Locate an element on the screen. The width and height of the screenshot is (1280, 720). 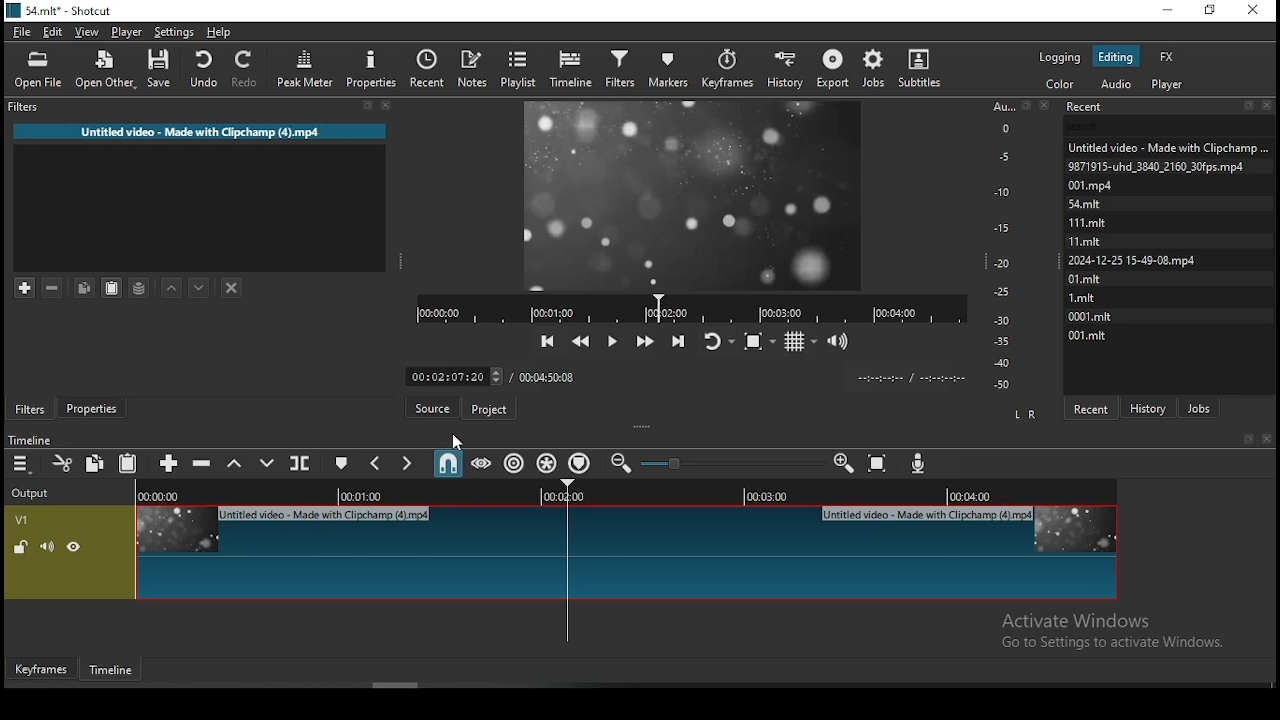
color is located at coordinates (1063, 83).